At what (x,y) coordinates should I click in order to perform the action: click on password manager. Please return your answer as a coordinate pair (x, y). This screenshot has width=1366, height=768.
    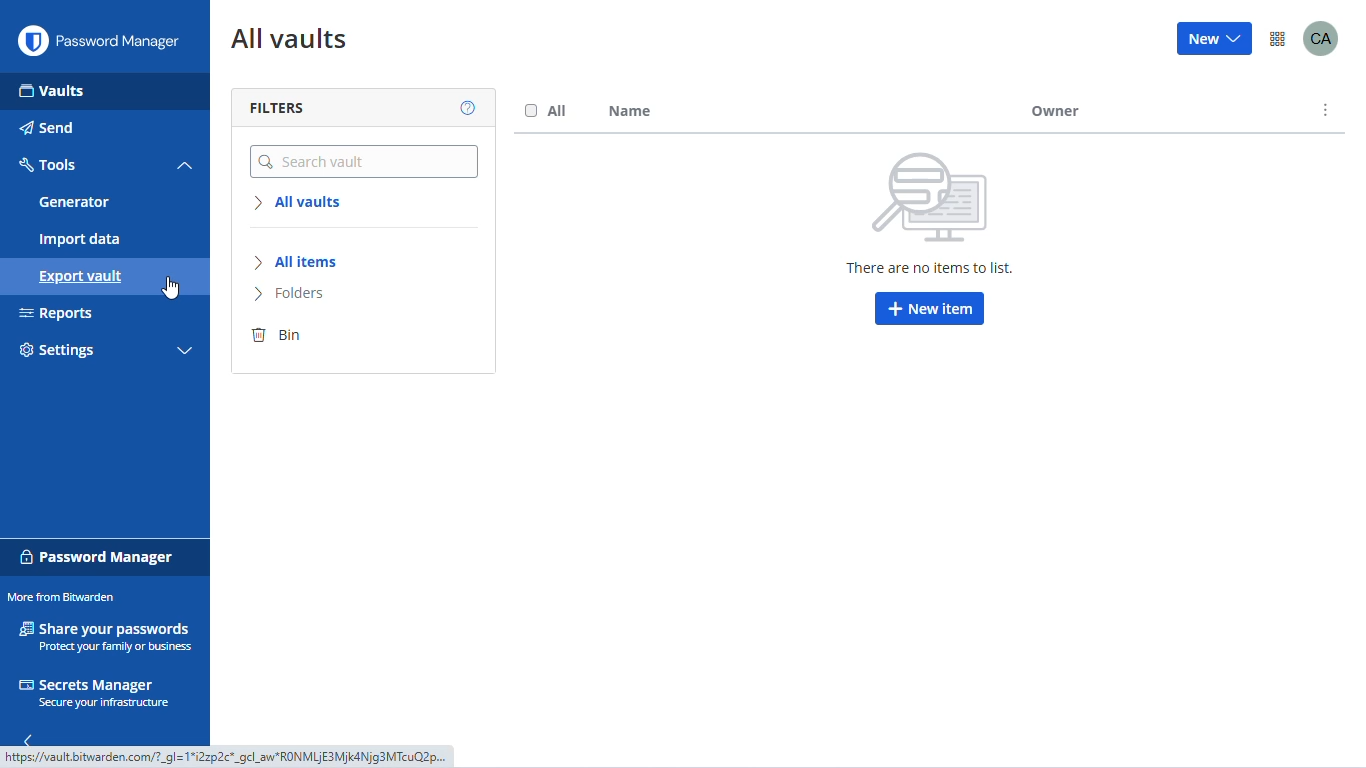
    Looking at the image, I should click on (123, 42).